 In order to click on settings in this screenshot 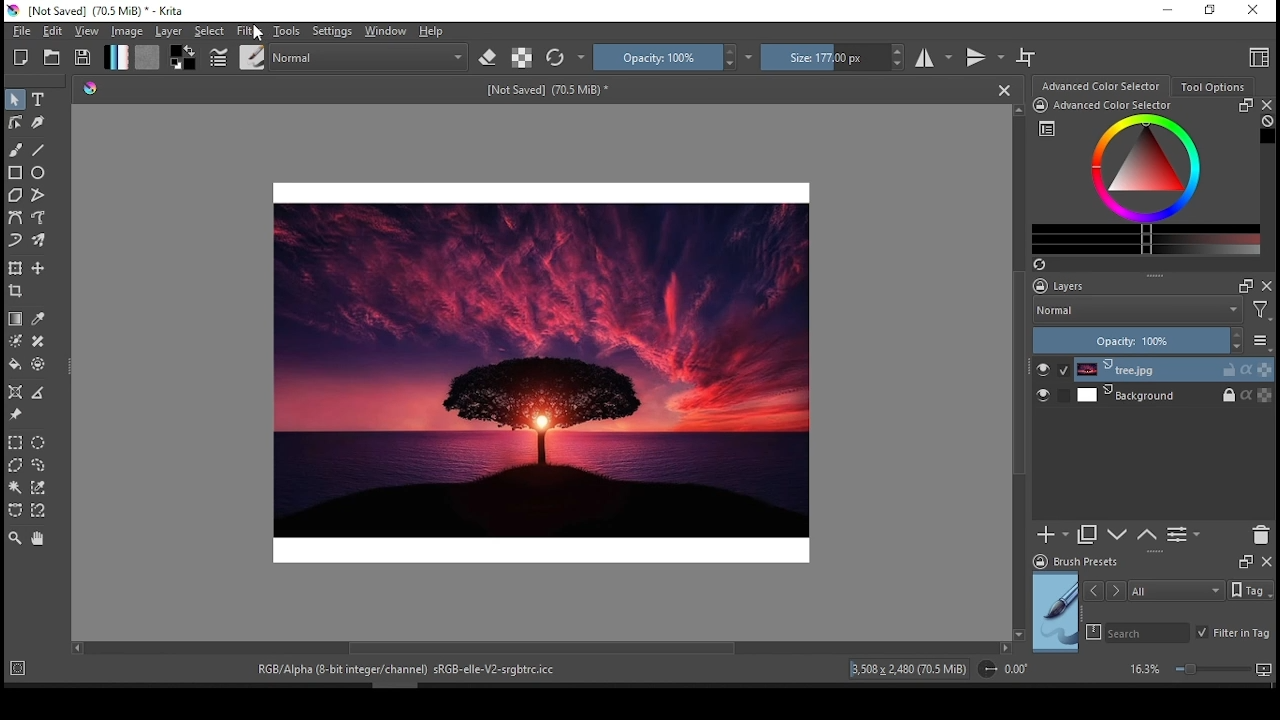, I will do `click(332, 32)`.